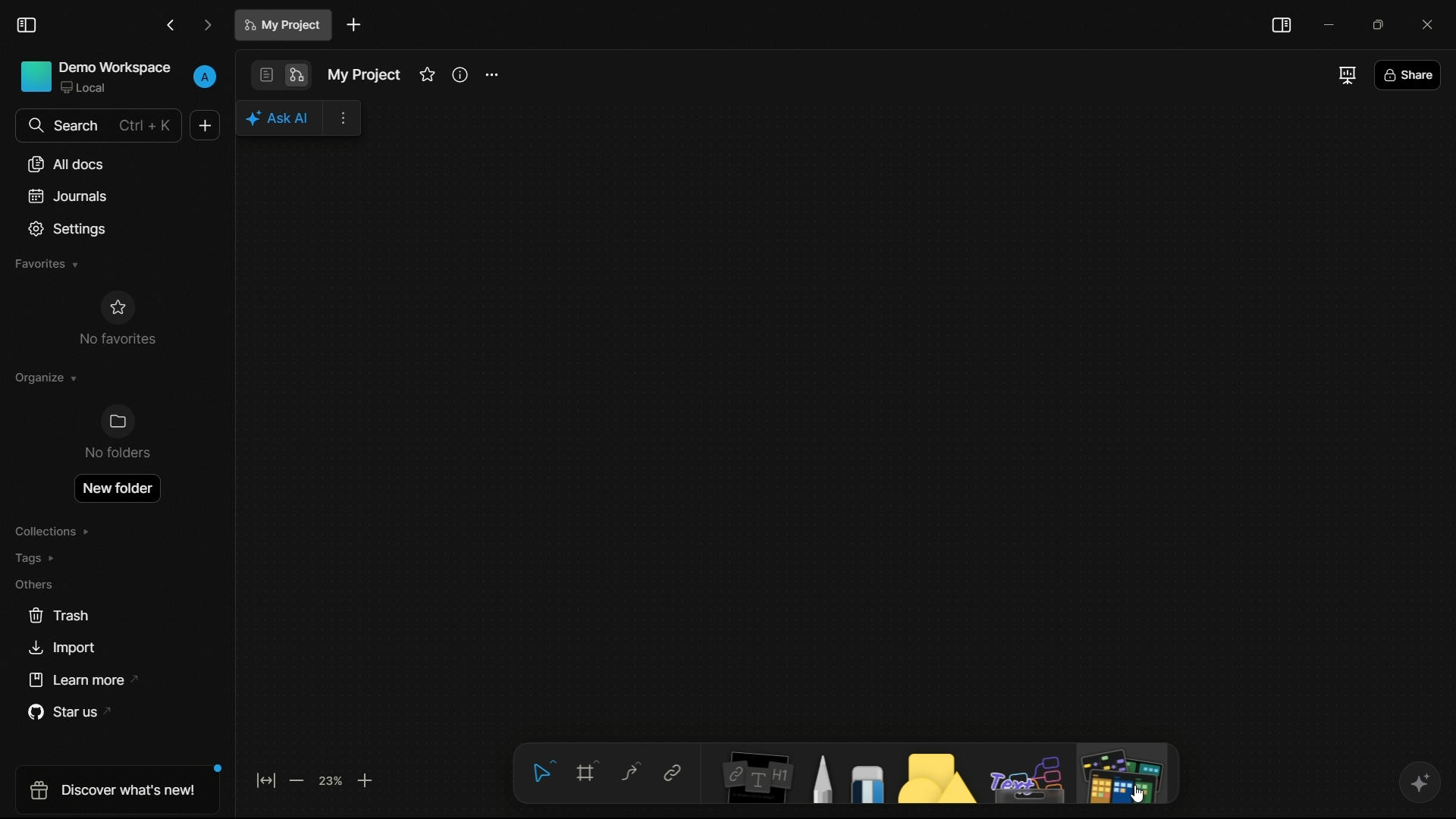  I want to click on organize, so click(44, 378).